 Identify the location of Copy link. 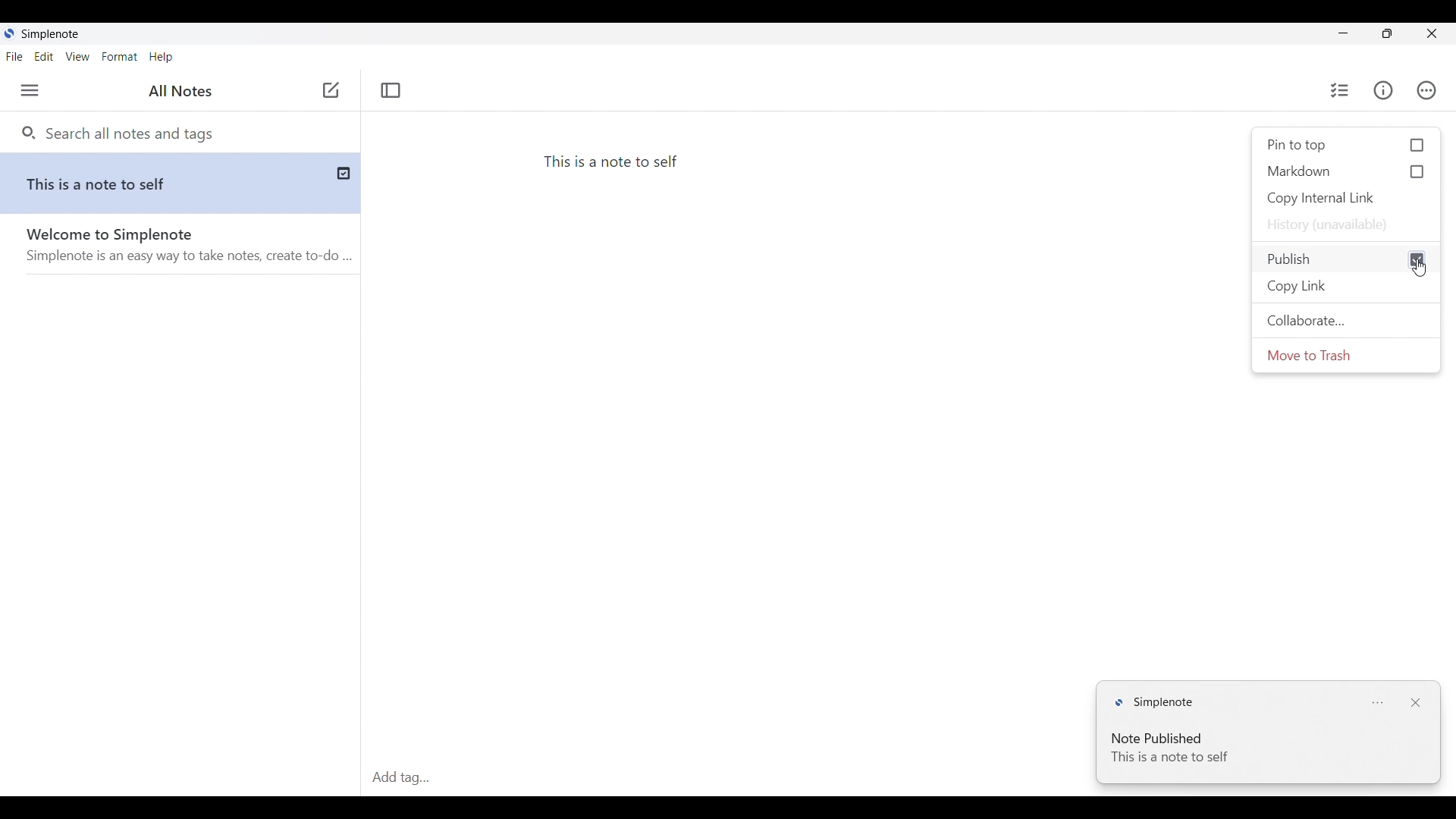
(1349, 287).